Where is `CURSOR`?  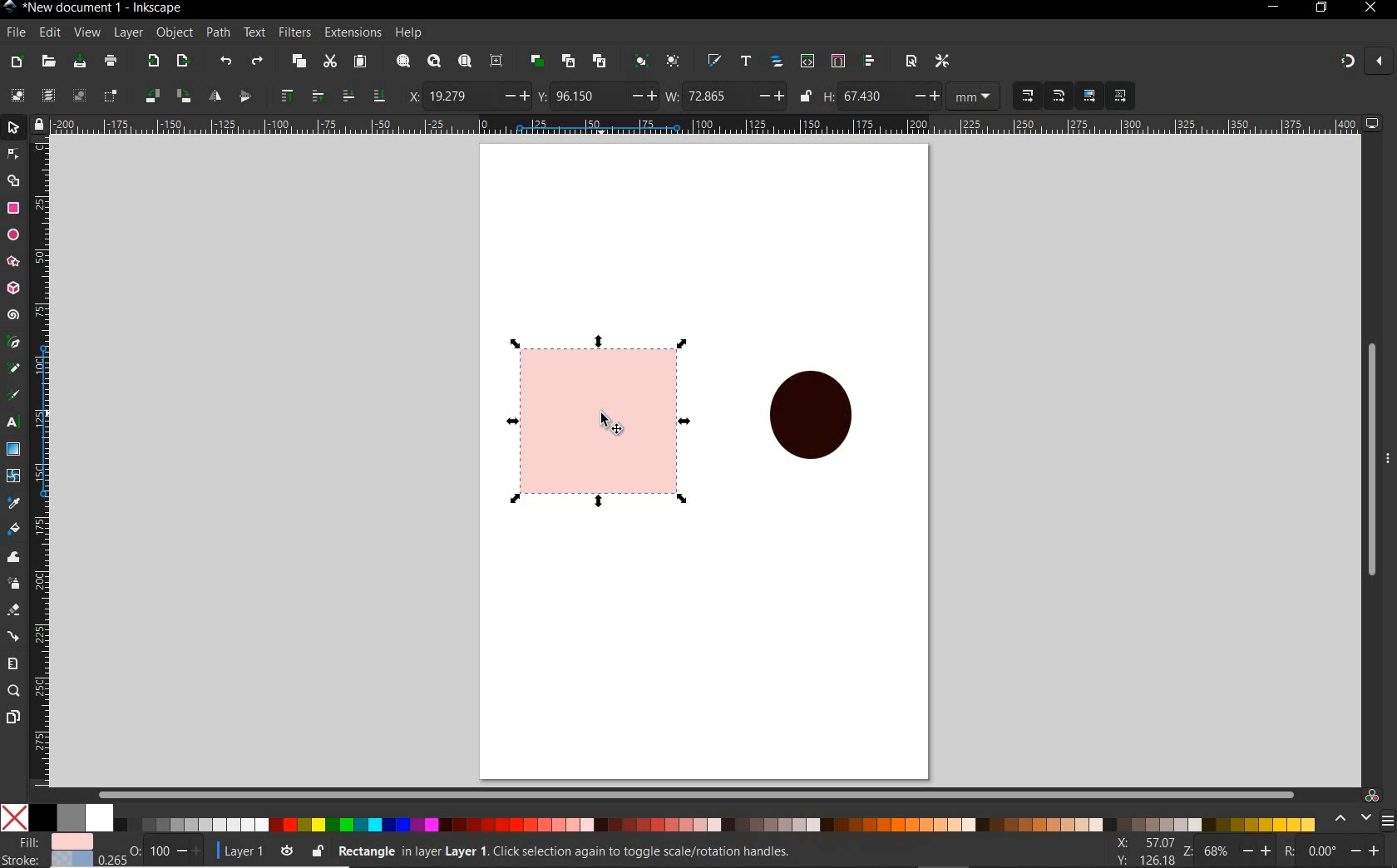 CURSOR is located at coordinates (610, 422).